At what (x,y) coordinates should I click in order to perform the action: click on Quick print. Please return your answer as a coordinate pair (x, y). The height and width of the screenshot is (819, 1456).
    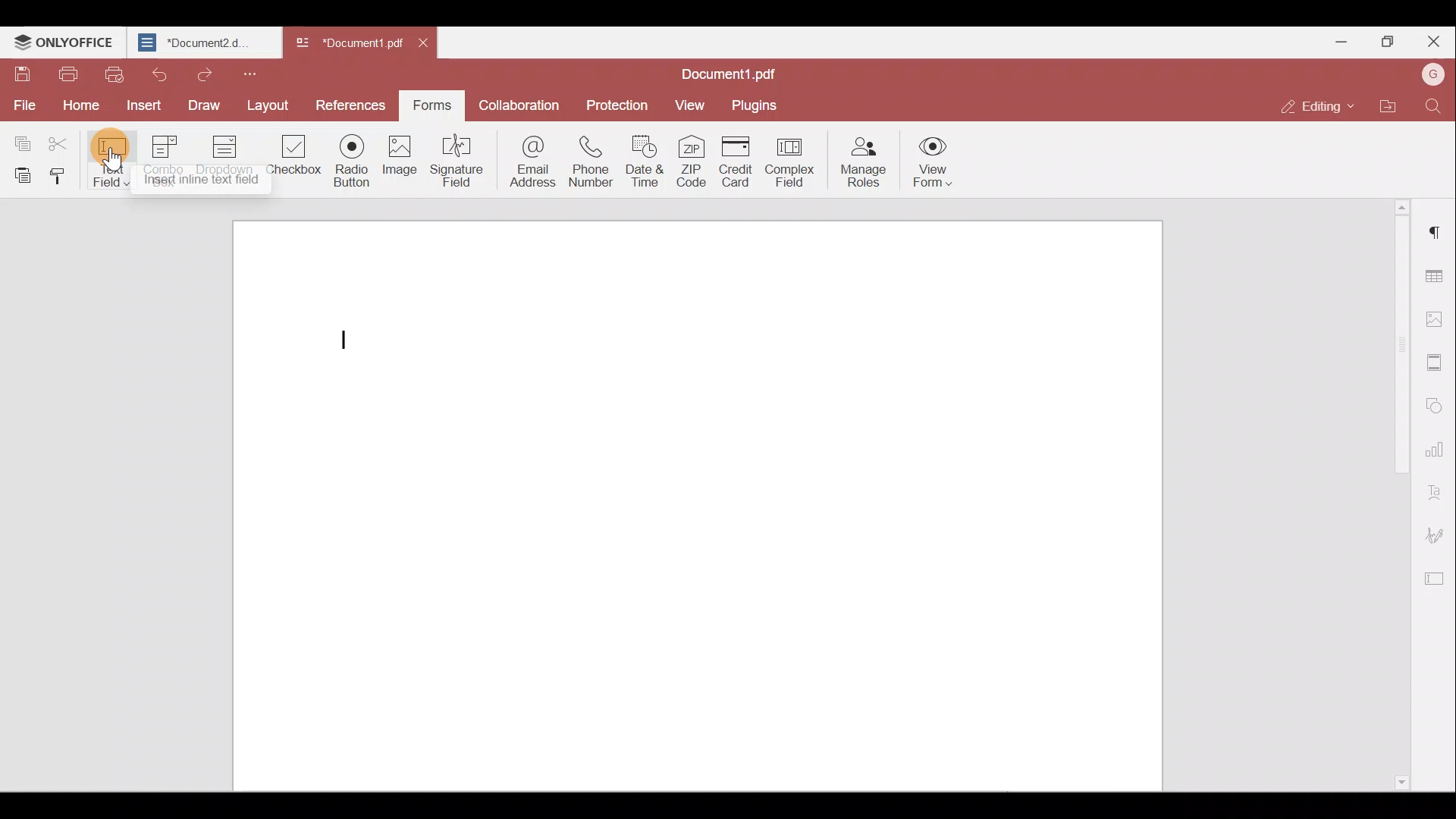
    Looking at the image, I should click on (115, 76).